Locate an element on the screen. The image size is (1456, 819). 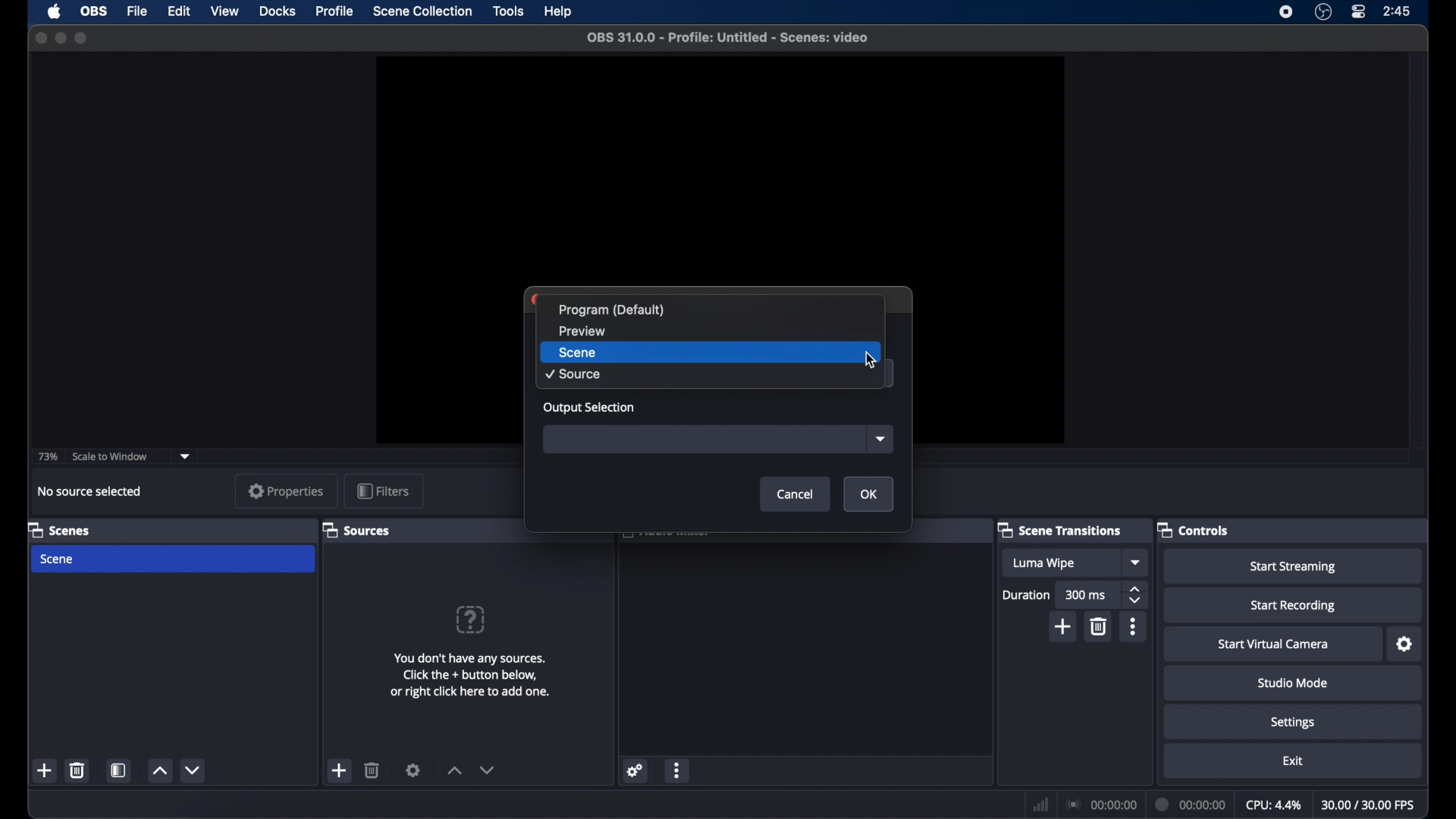
delete is located at coordinates (78, 770).